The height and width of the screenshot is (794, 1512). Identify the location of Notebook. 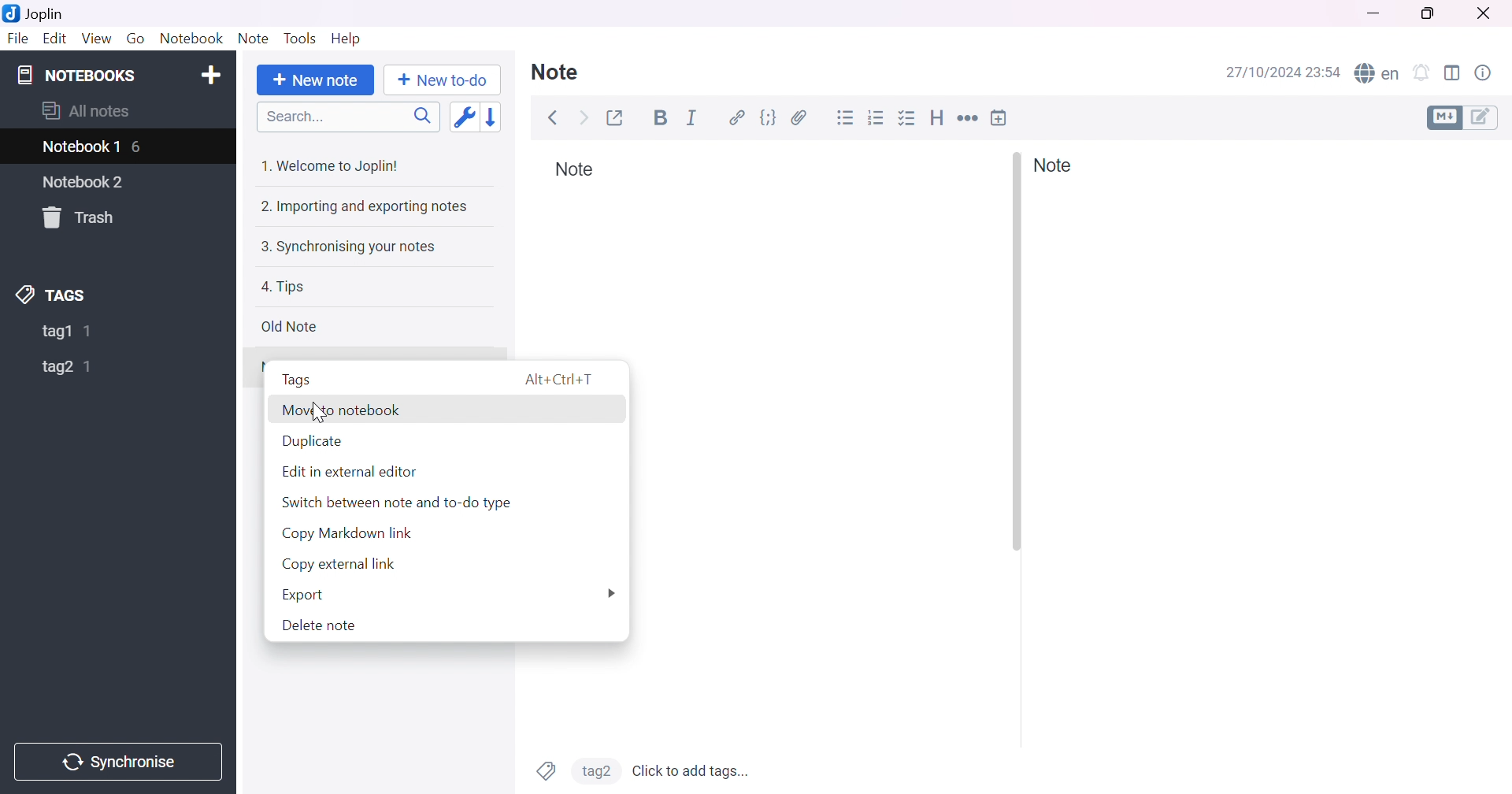
(188, 39).